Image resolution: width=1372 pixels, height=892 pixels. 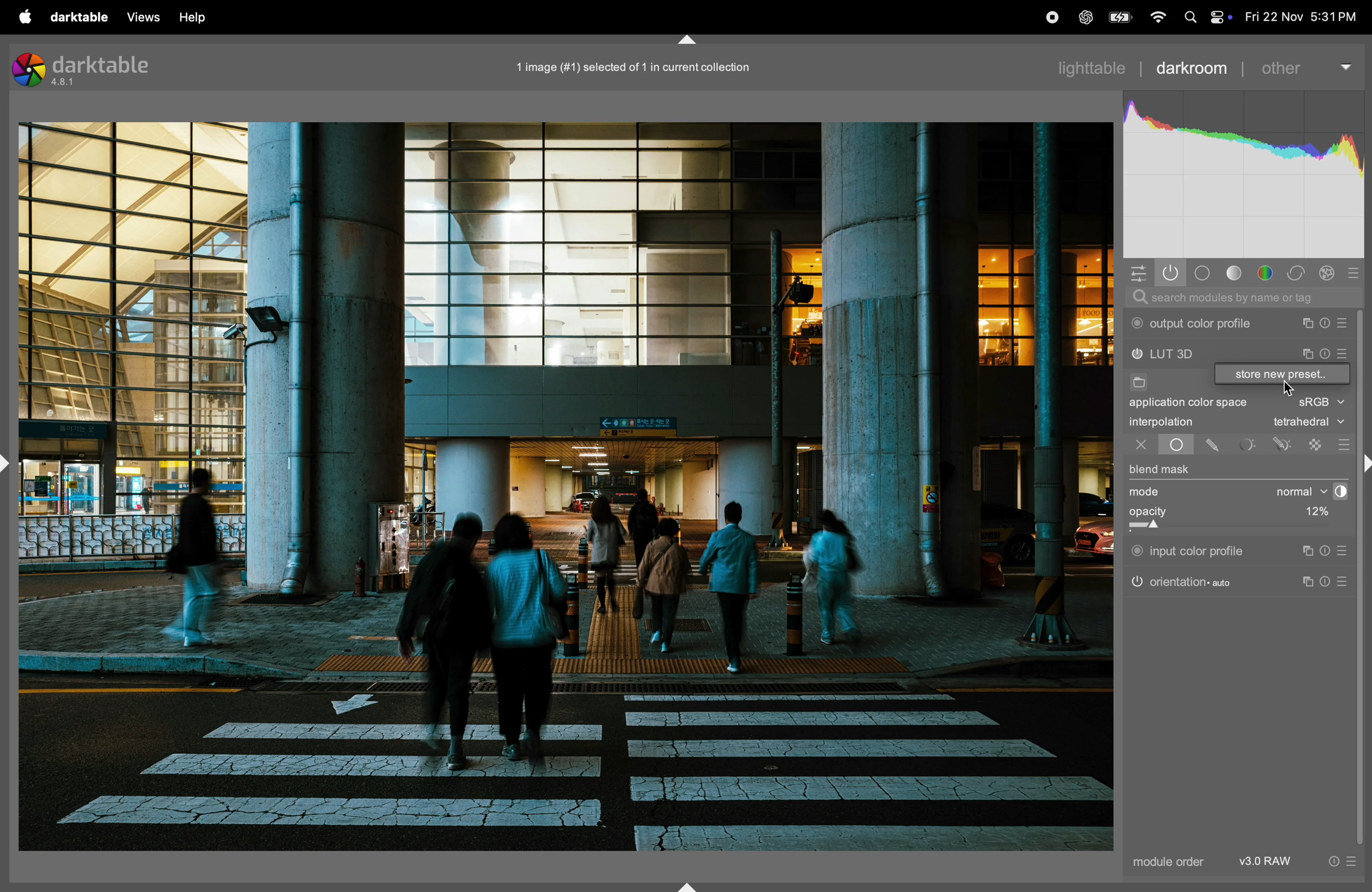 I want to click on orientation, so click(x=1182, y=581).